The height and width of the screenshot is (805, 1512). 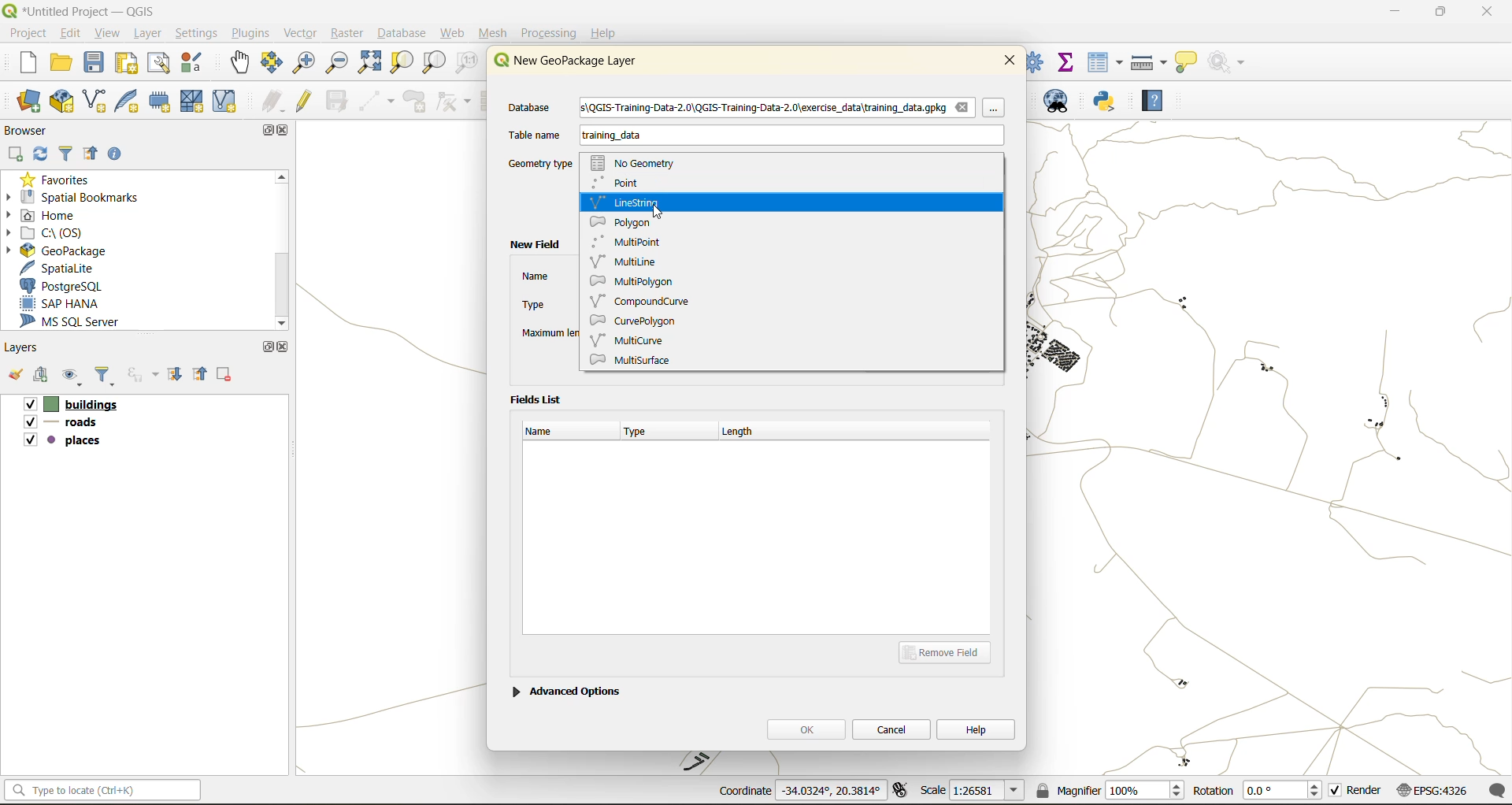 What do you see at coordinates (604, 33) in the screenshot?
I see `Help` at bounding box center [604, 33].